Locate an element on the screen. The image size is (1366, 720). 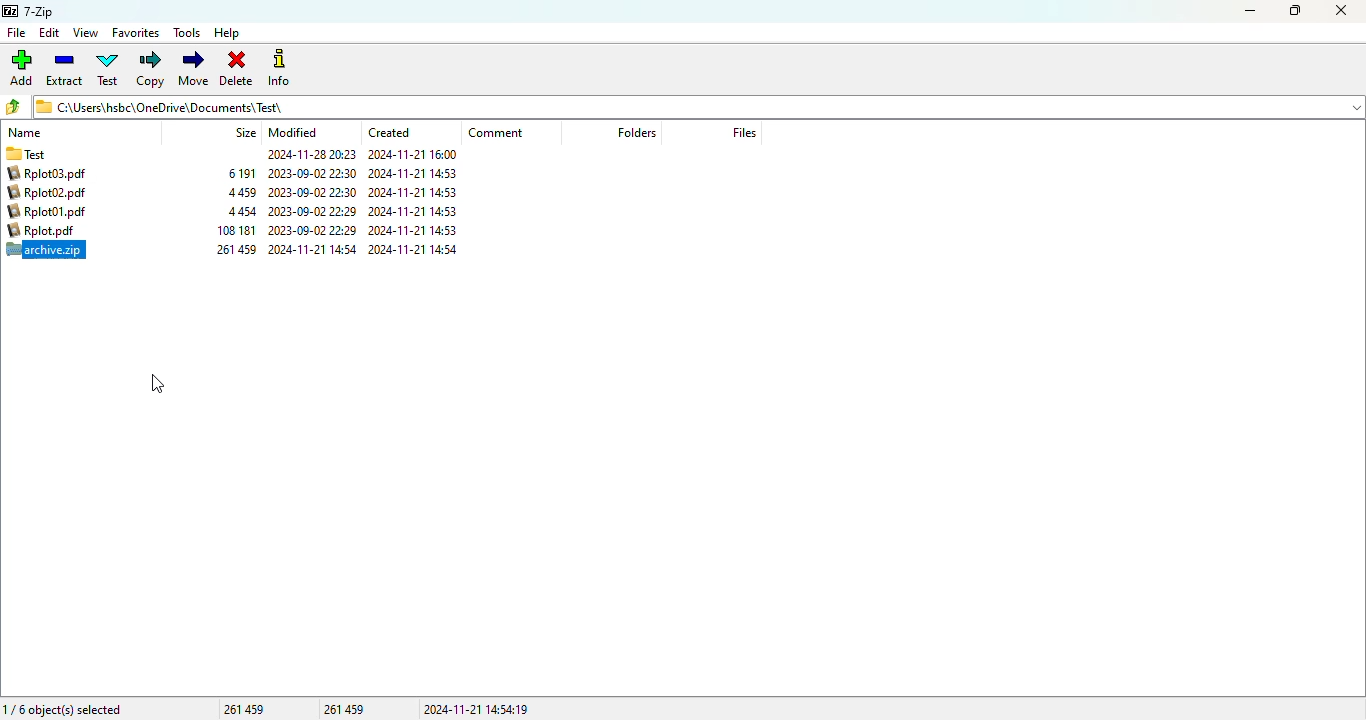
2024-11-21 14:53 is located at coordinates (422, 192).